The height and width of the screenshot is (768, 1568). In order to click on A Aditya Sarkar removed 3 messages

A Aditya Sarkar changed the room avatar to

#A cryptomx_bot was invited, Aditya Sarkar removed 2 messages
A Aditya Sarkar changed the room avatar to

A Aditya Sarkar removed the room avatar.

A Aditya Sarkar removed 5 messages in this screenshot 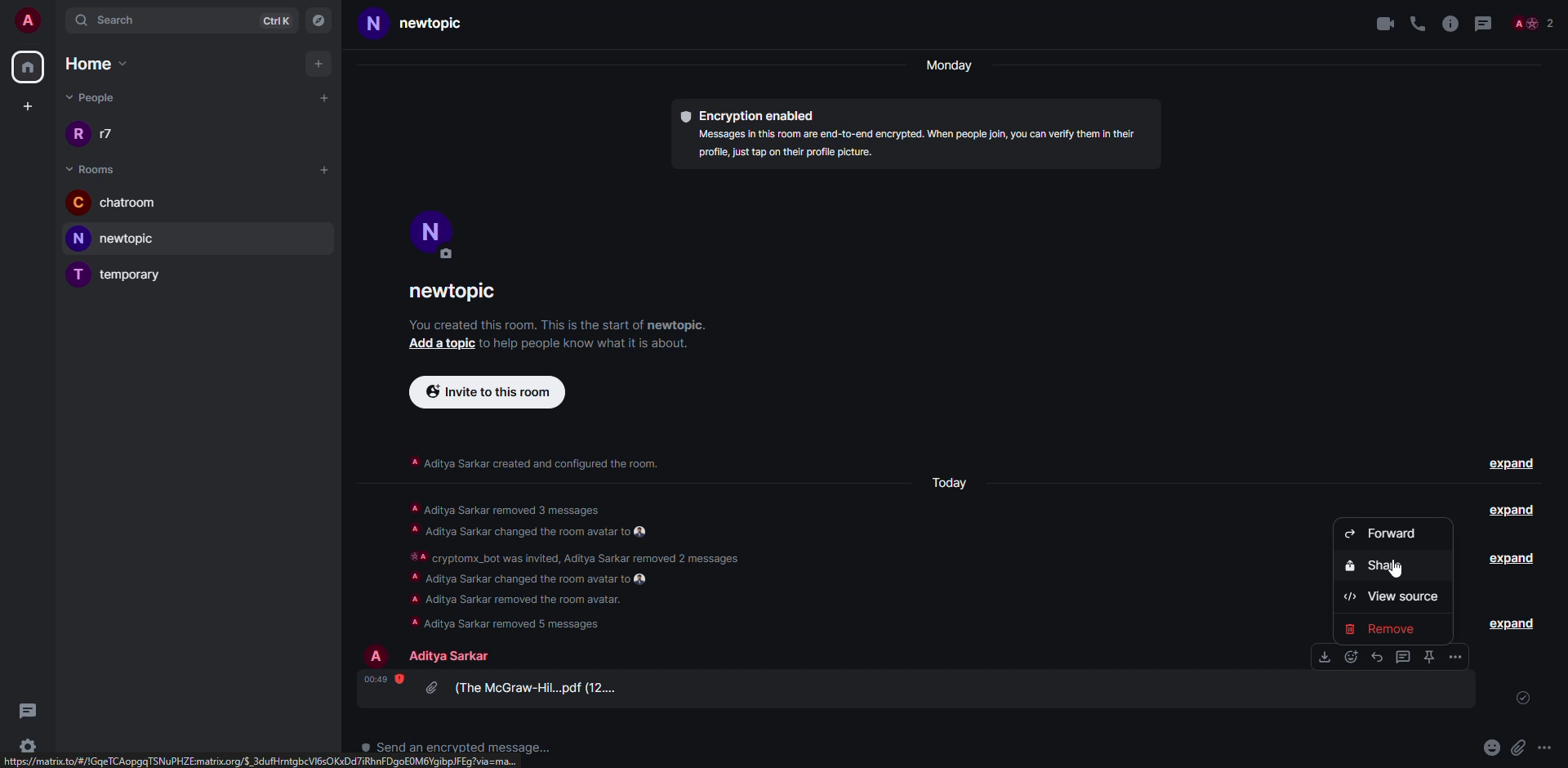, I will do `click(586, 563)`.